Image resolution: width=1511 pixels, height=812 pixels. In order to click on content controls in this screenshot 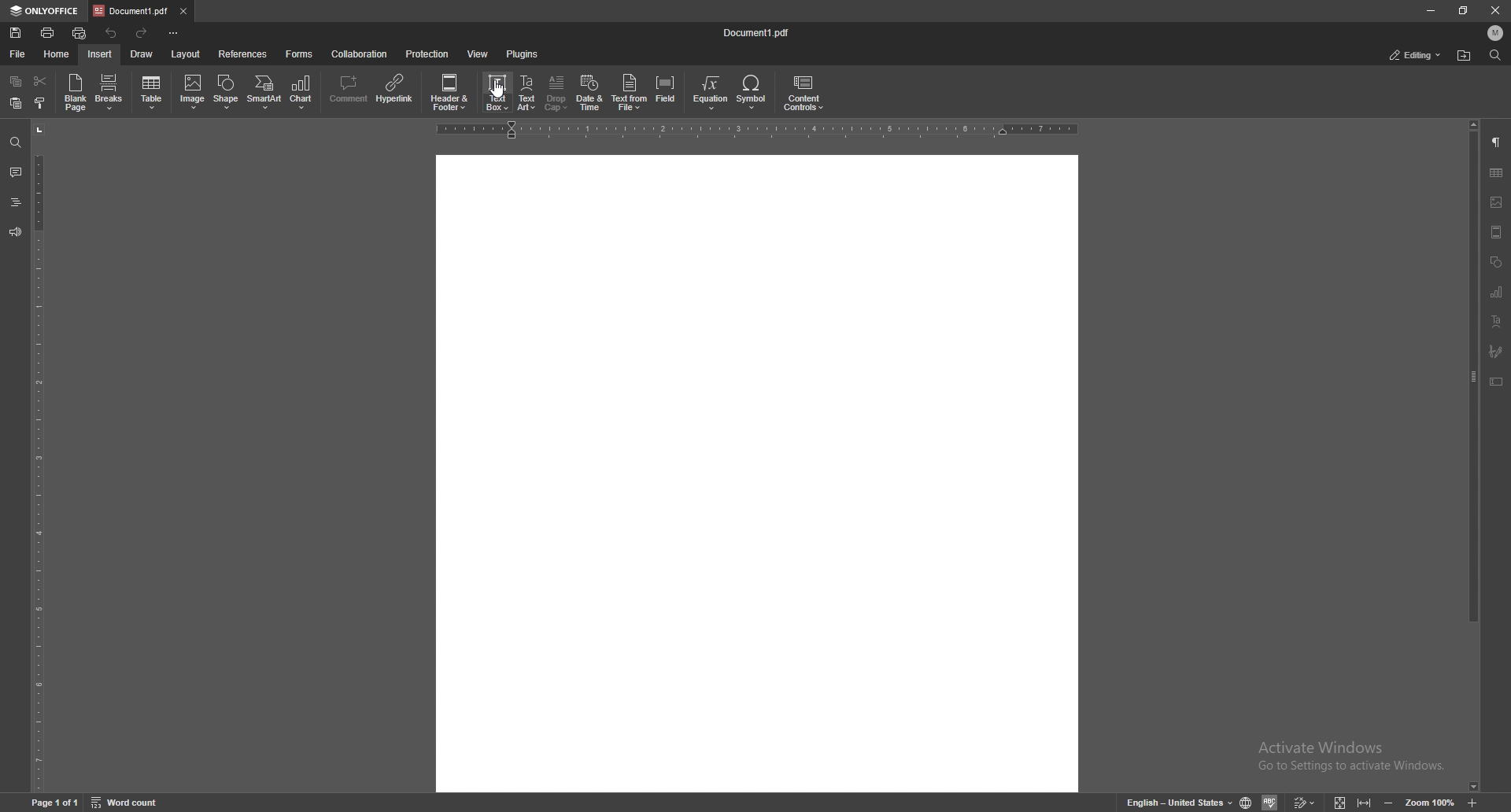, I will do `click(803, 94)`.